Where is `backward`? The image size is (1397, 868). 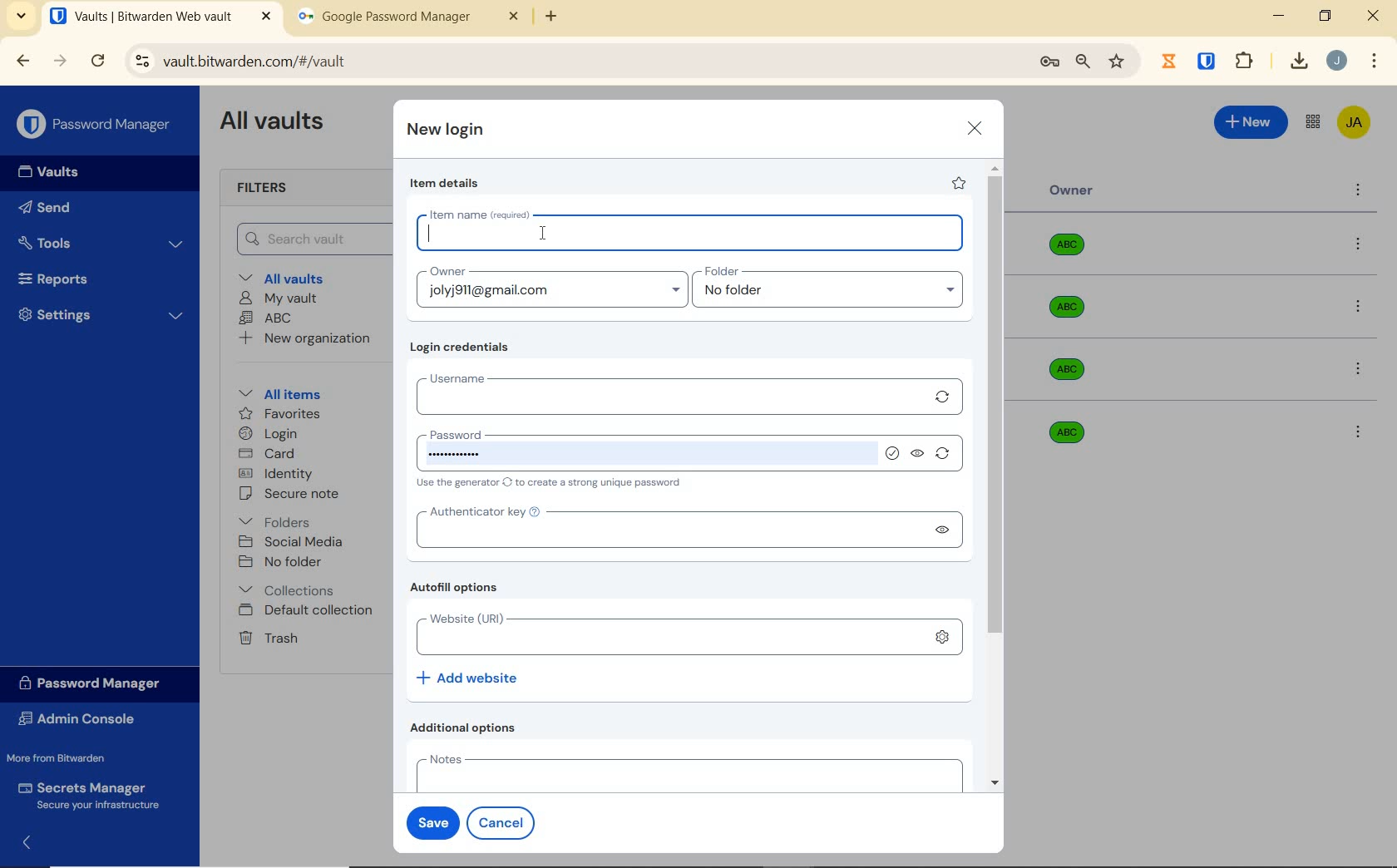 backward is located at coordinates (22, 61).